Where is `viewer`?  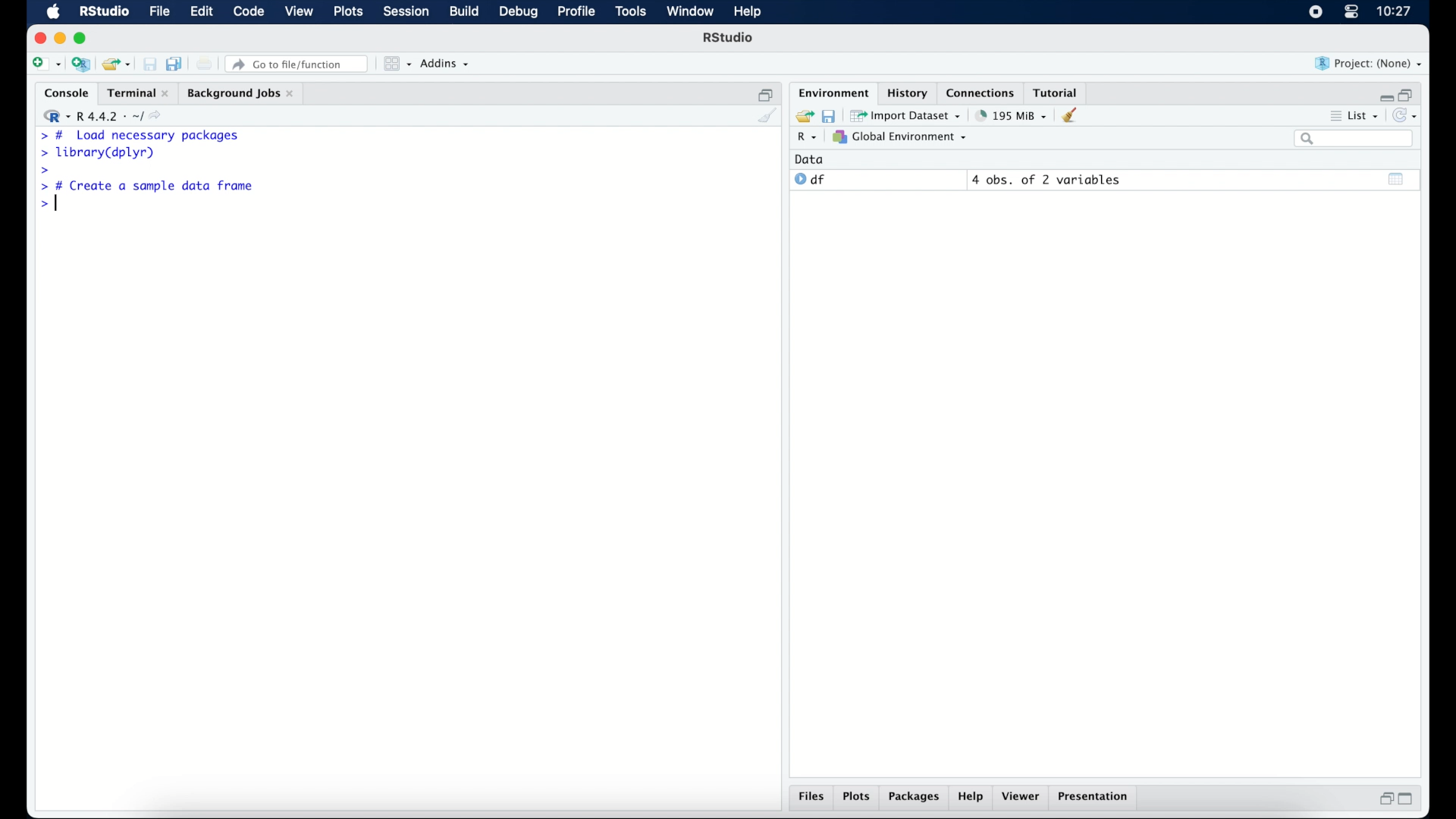
viewer is located at coordinates (1024, 798).